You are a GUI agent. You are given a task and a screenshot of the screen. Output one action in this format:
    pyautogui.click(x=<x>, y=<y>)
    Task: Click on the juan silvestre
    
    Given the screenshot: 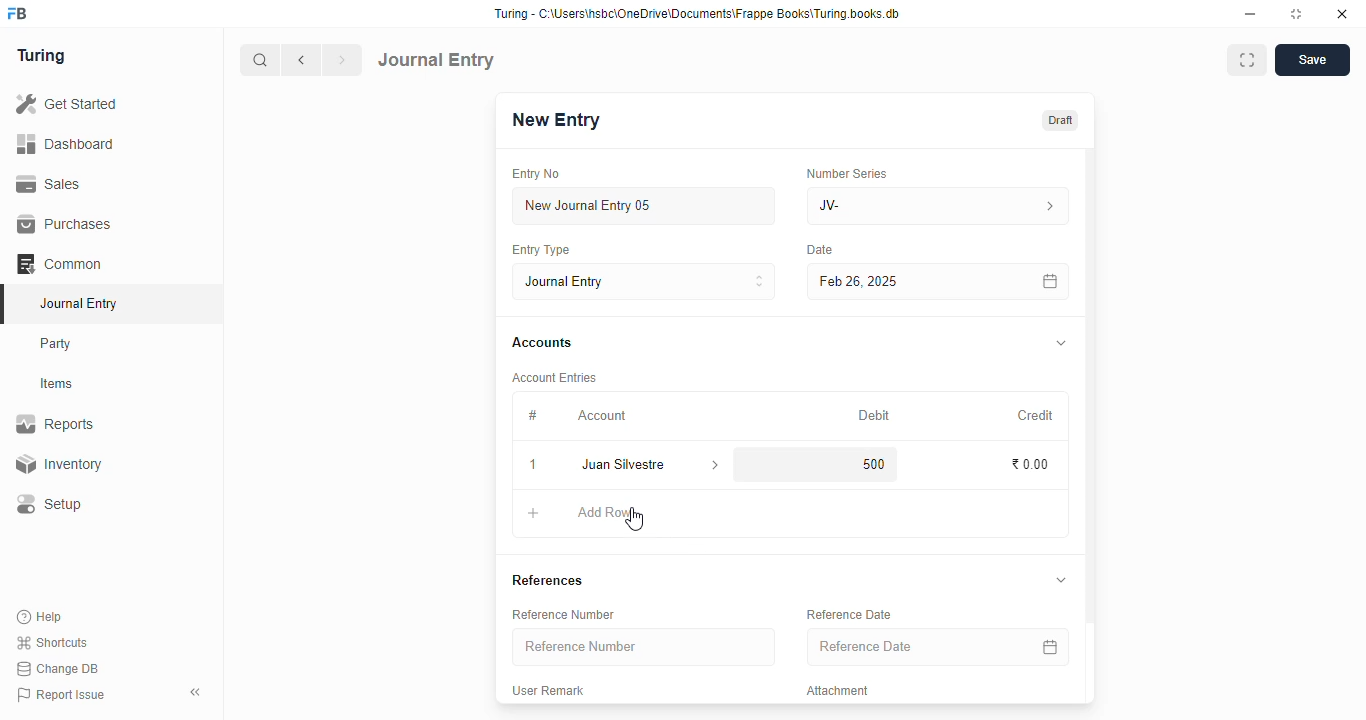 What is the action you would take?
    pyautogui.click(x=627, y=465)
    